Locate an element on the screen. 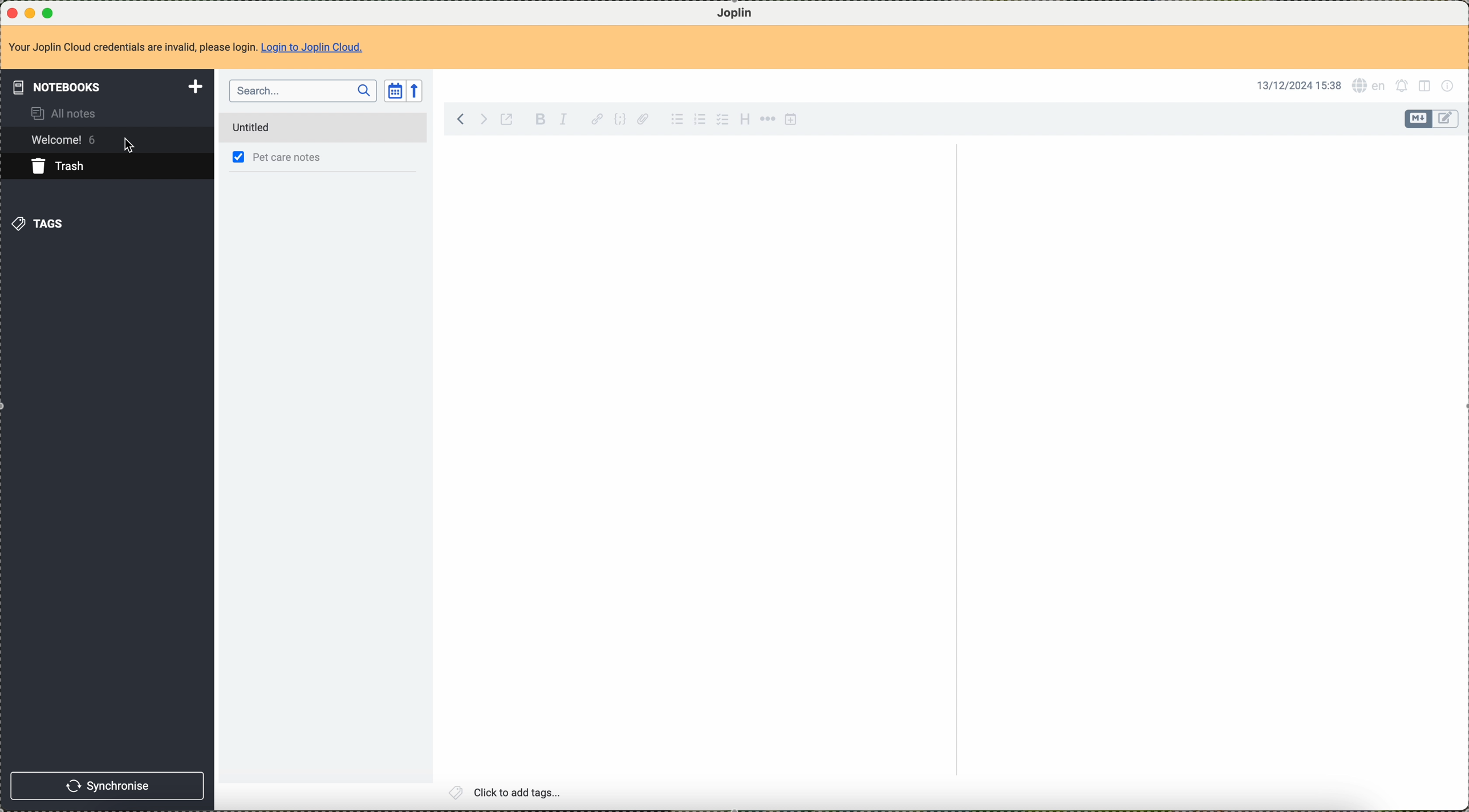  permanently delete note is located at coordinates (310, 128).